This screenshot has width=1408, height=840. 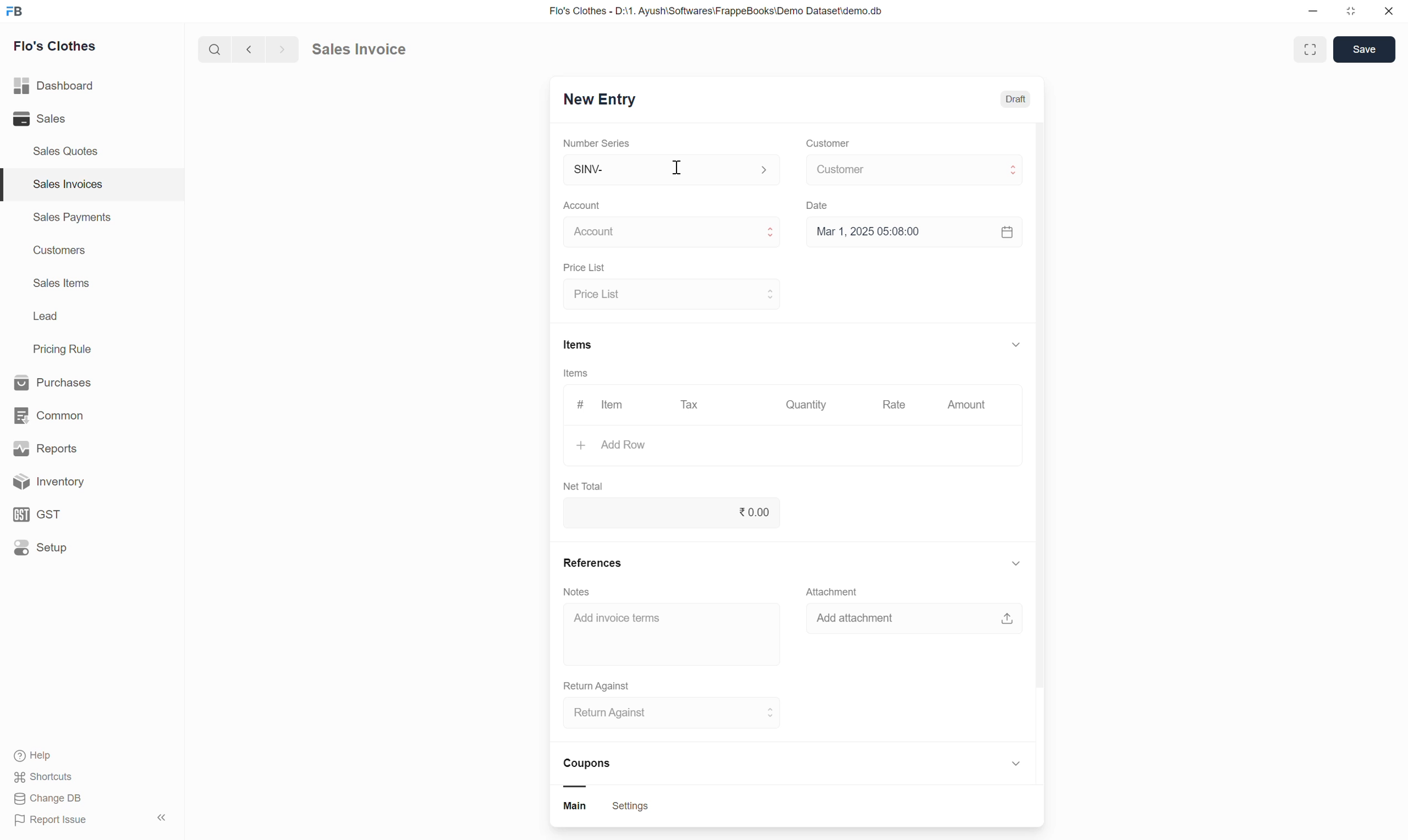 What do you see at coordinates (820, 207) in the screenshot?
I see `Date` at bounding box center [820, 207].